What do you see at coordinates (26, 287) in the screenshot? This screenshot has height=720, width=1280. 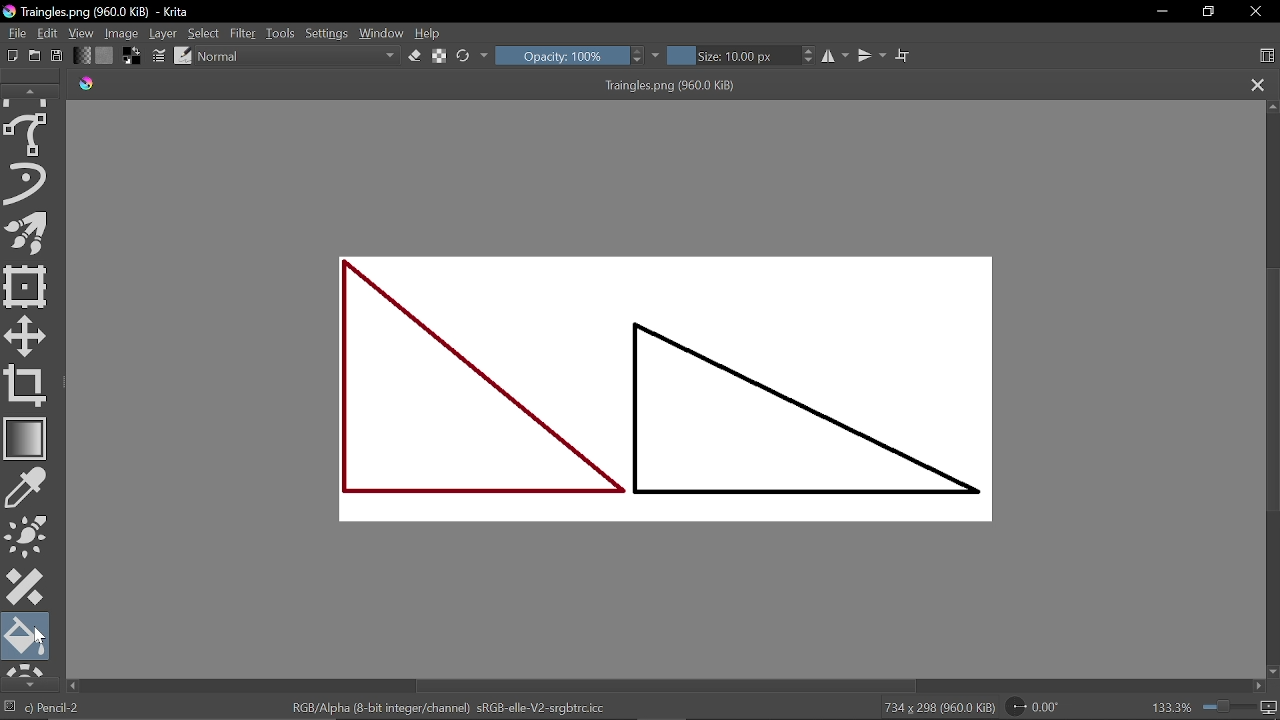 I see `Transform a layer` at bounding box center [26, 287].